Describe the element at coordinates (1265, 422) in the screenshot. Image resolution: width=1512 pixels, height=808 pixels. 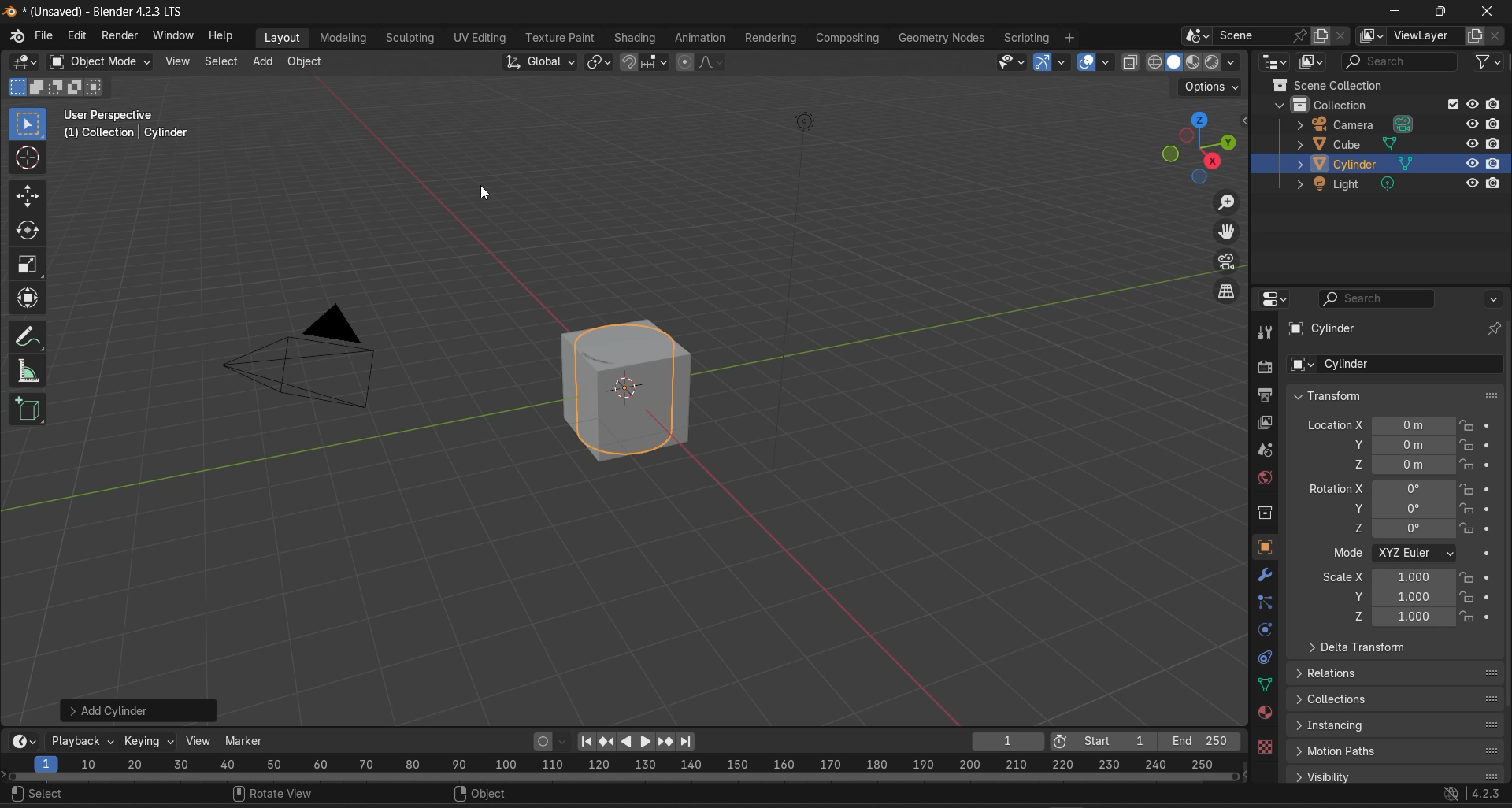
I see `view layer` at that location.